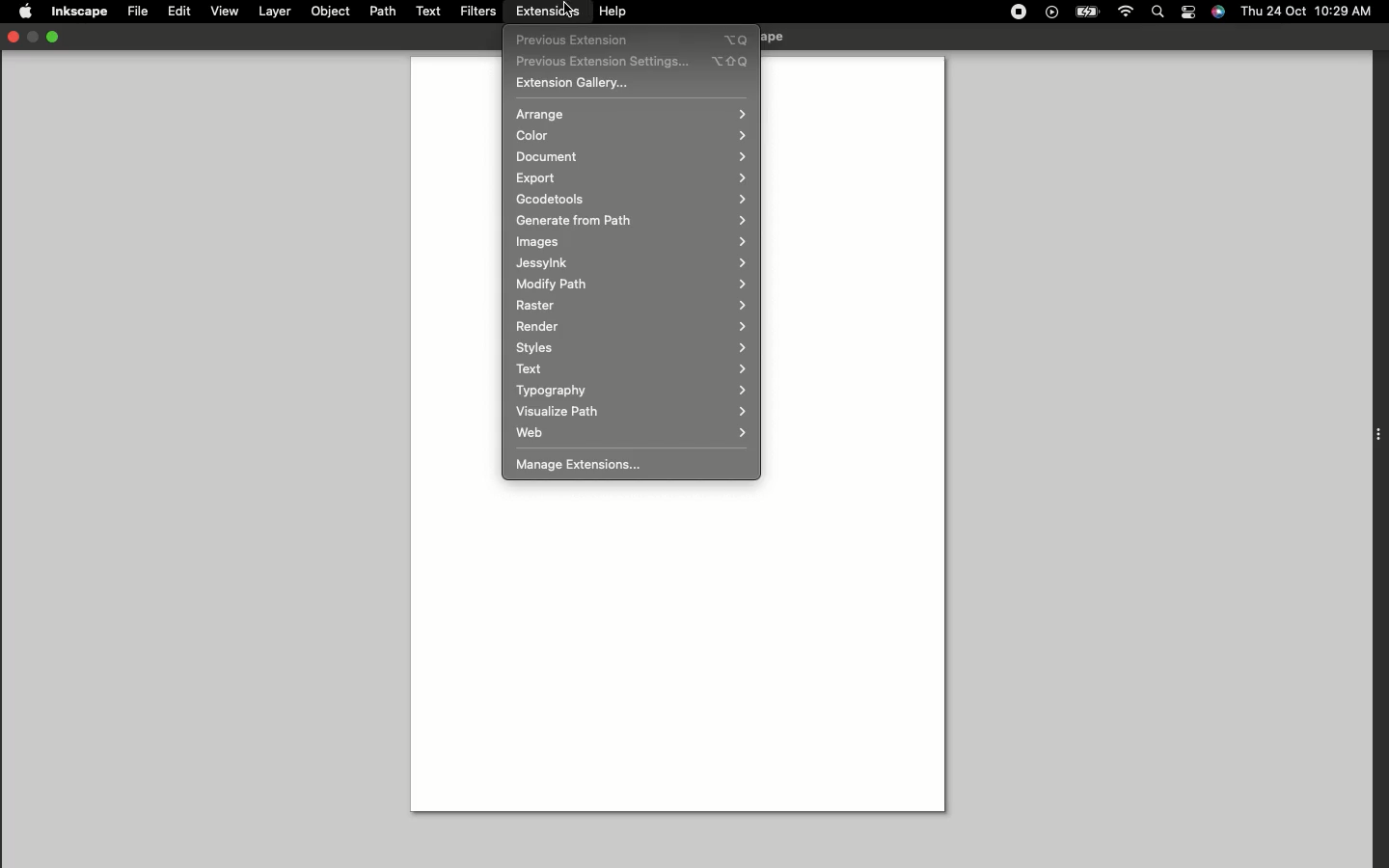  Describe the element at coordinates (30, 12) in the screenshot. I see `Apple logo` at that location.